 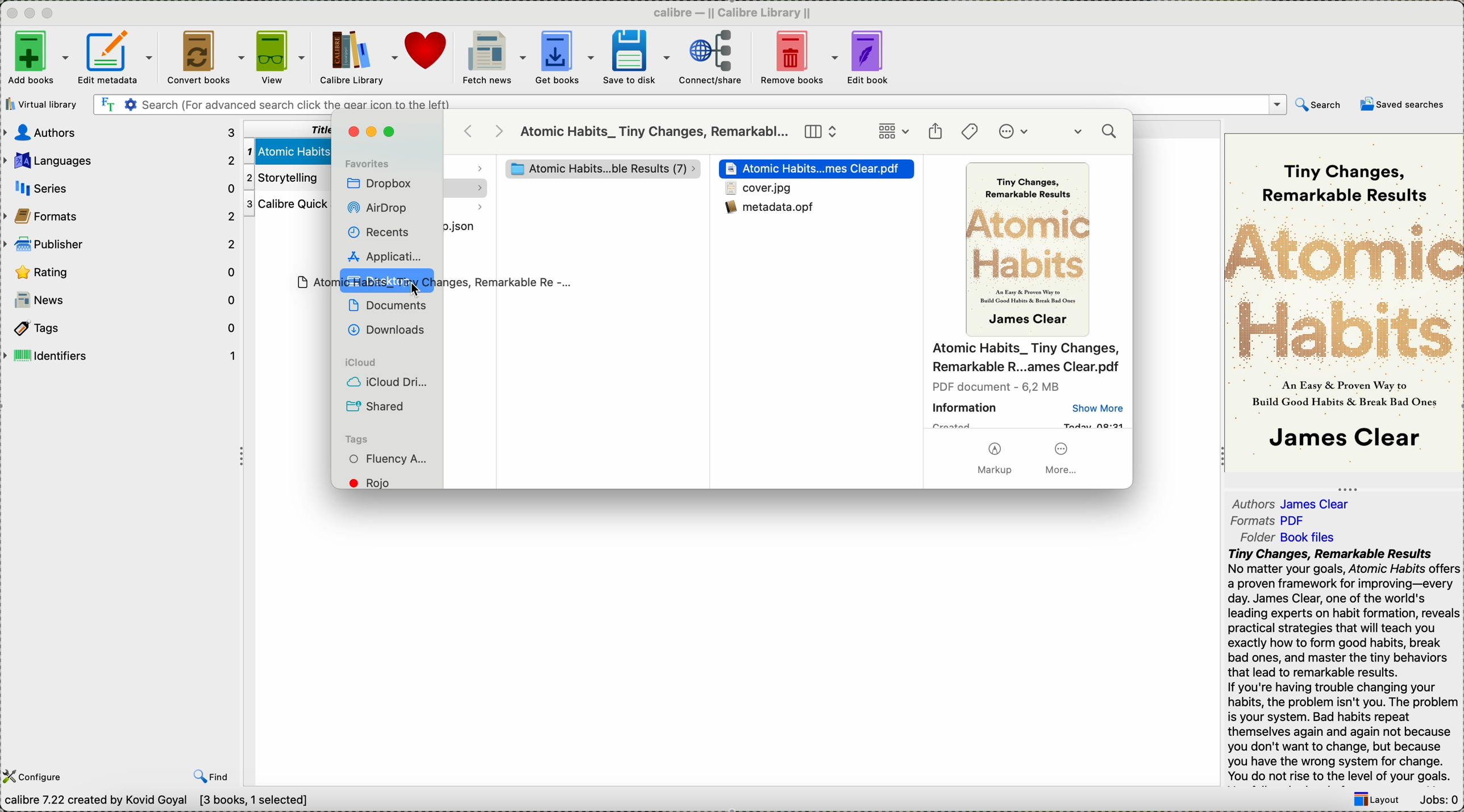 What do you see at coordinates (392, 132) in the screenshot?
I see `maximize window` at bounding box center [392, 132].